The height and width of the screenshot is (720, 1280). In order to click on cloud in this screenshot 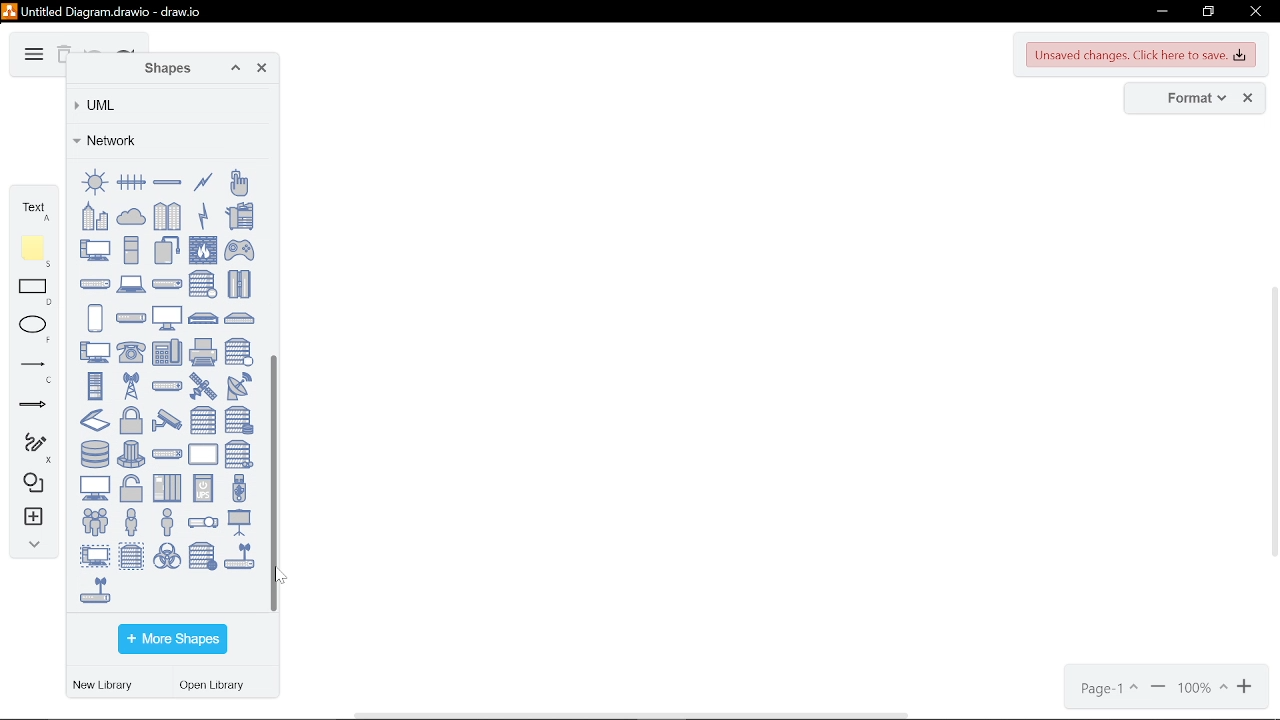, I will do `click(131, 215)`.